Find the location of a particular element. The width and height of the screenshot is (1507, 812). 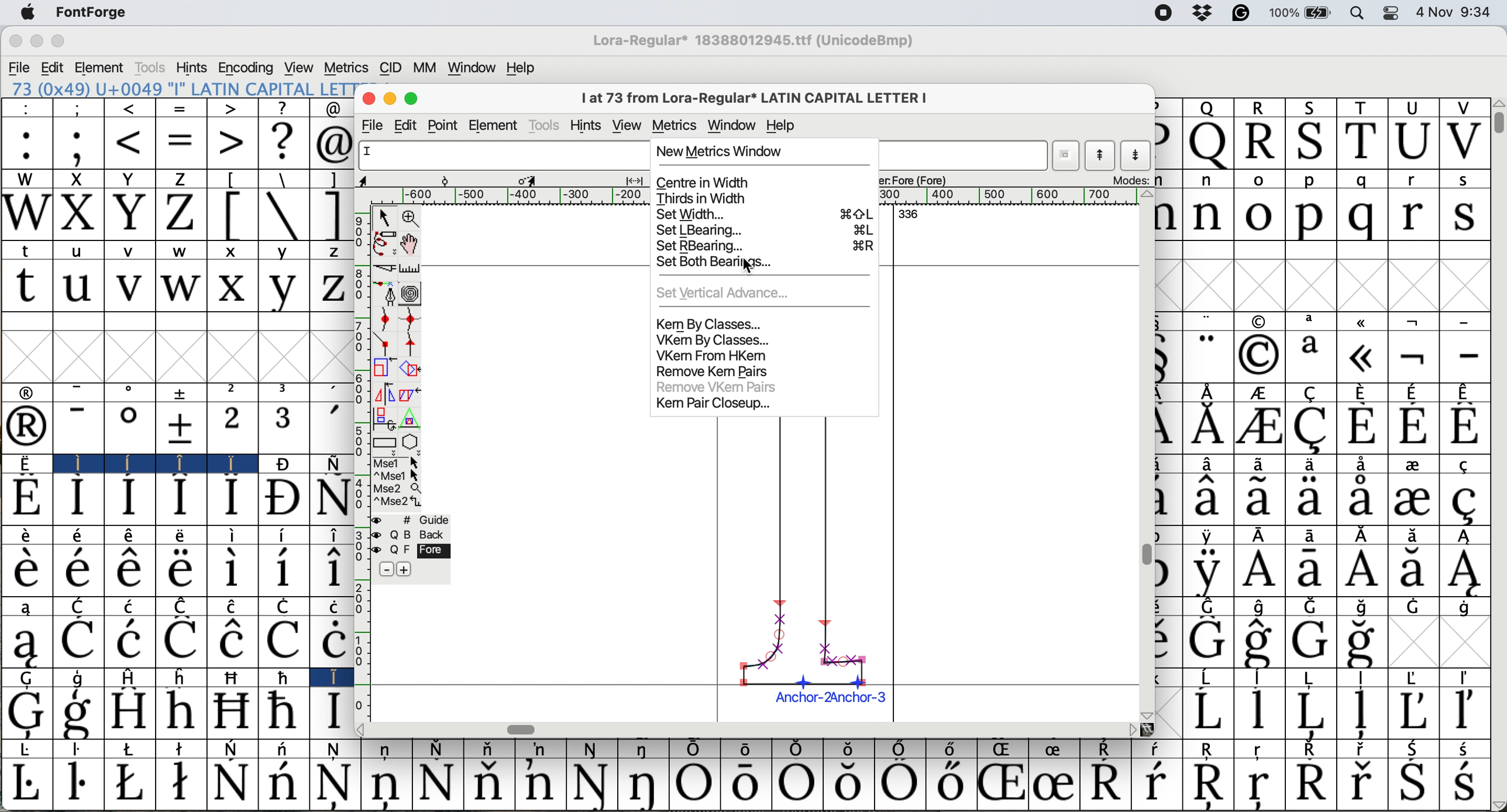

close is located at coordinates (369, 99).